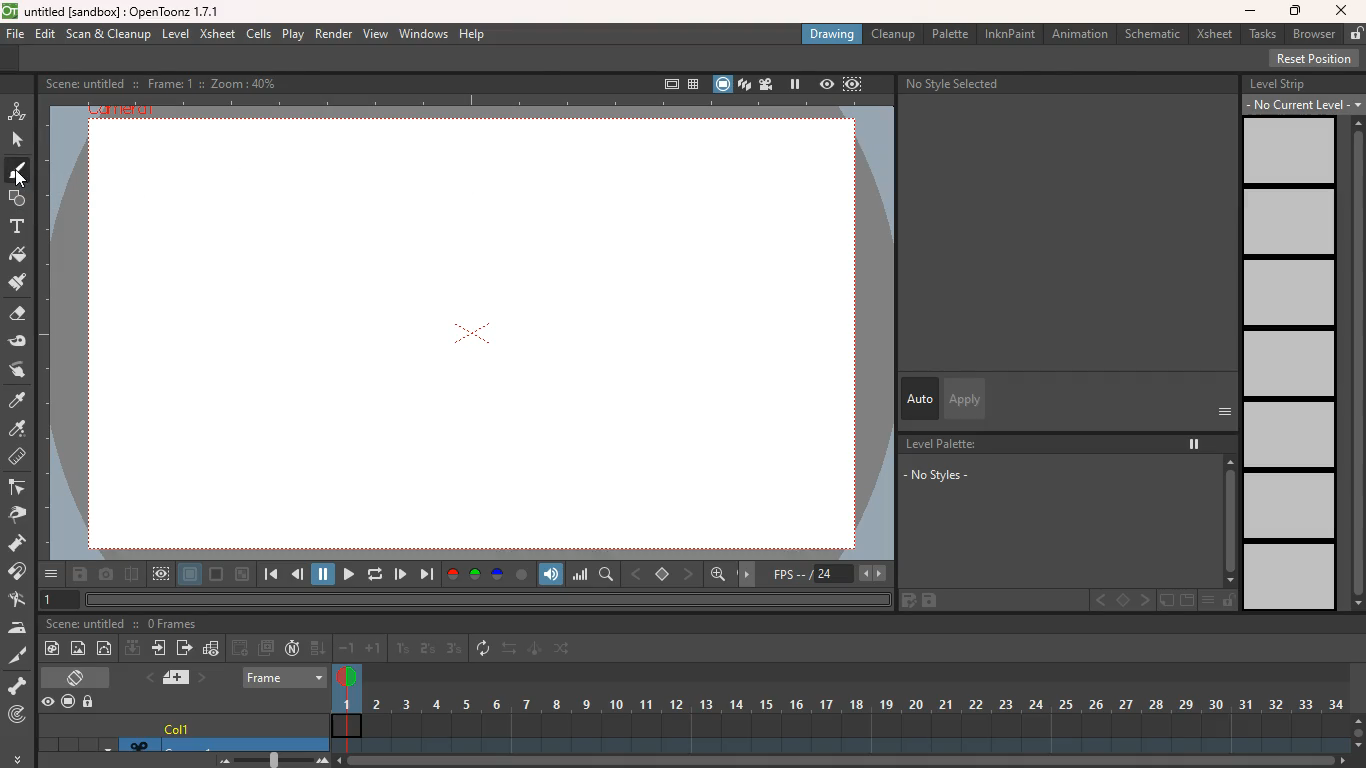 This screenshot has width=1366, height=768. Describe the element at coordinates (834, 33) in the screenshot. I see `drawing` at that location.